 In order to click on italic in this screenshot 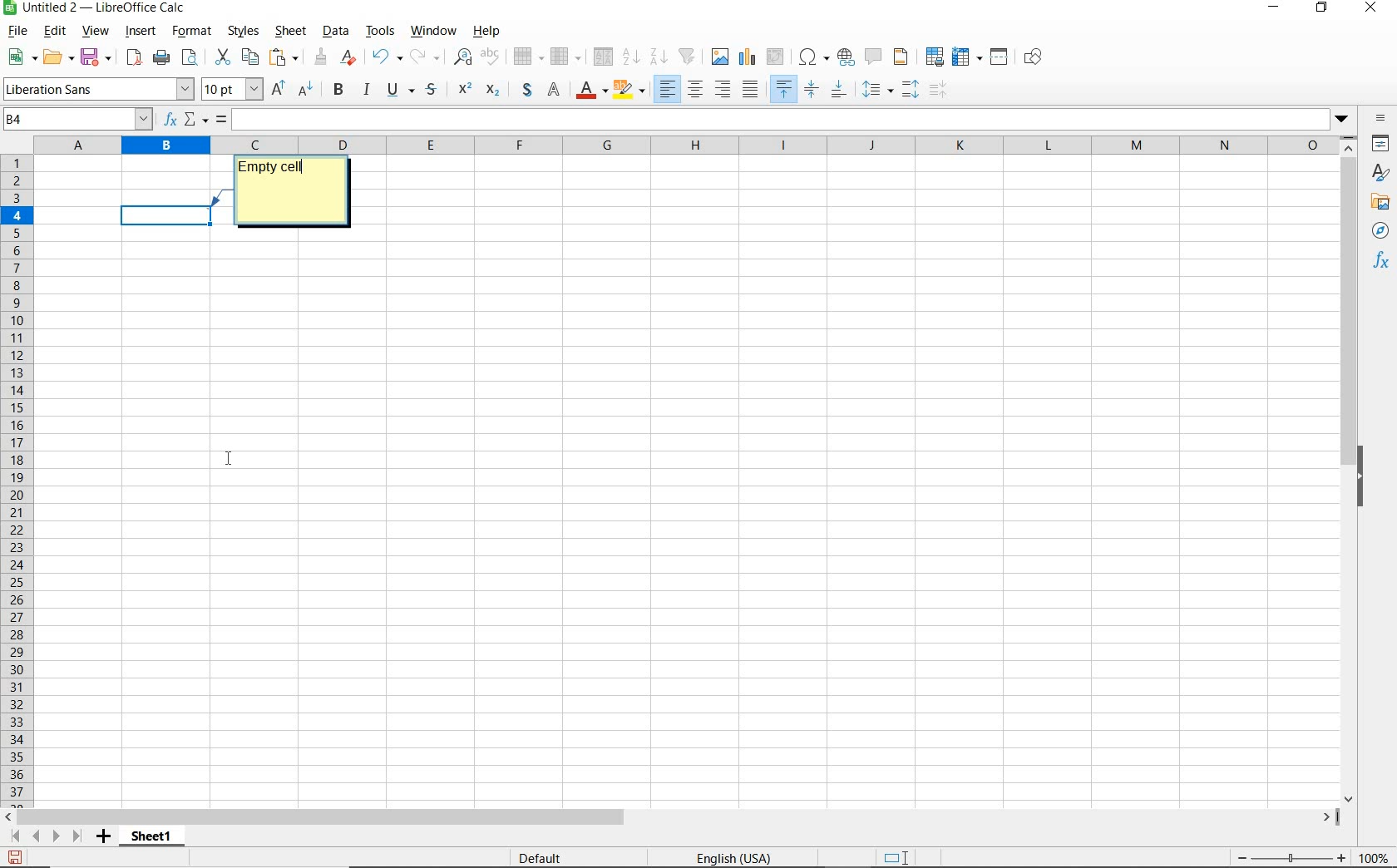, I will do `click(366, 90)`.